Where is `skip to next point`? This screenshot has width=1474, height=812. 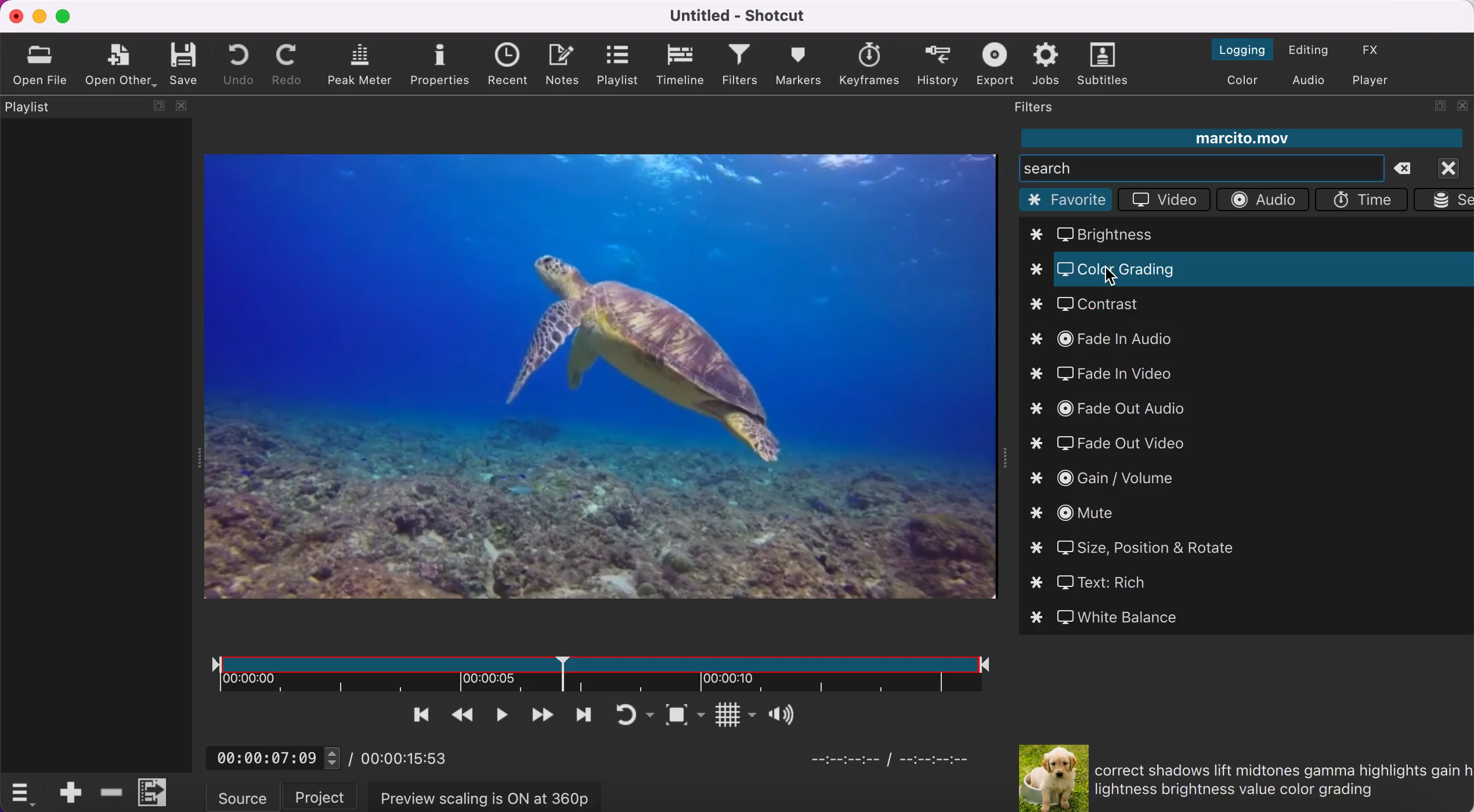
skip to next point is located at coordinates (581, 715).